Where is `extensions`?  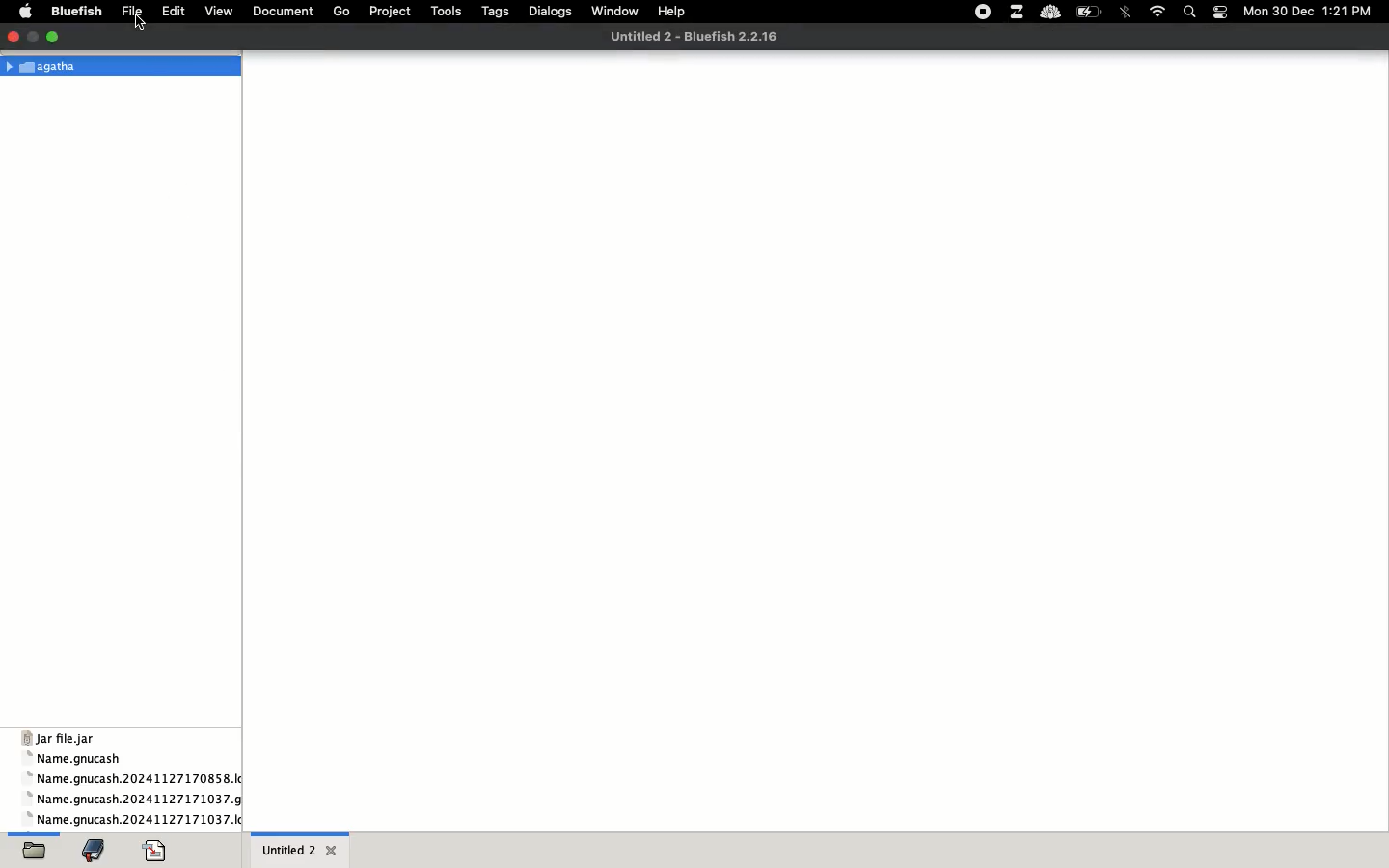 extensions is located at coordinates (1019, 12).